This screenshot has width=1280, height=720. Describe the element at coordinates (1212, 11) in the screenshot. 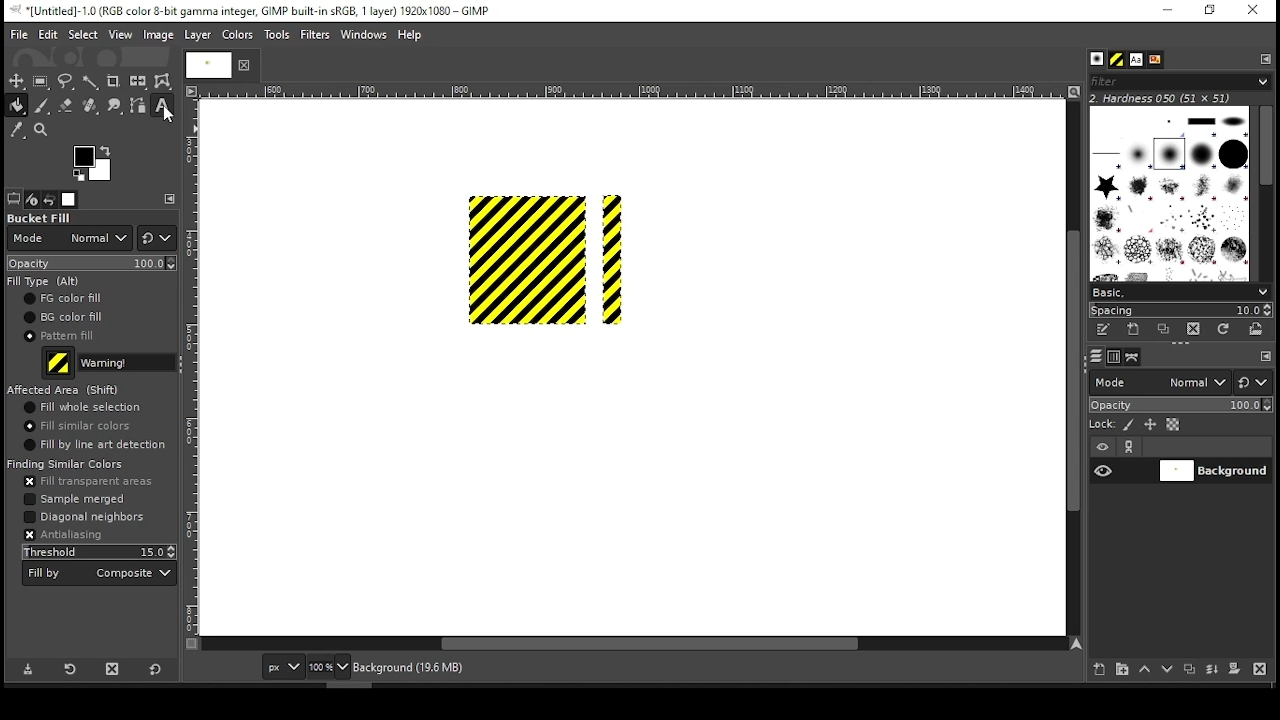

I see `restore` at that location.